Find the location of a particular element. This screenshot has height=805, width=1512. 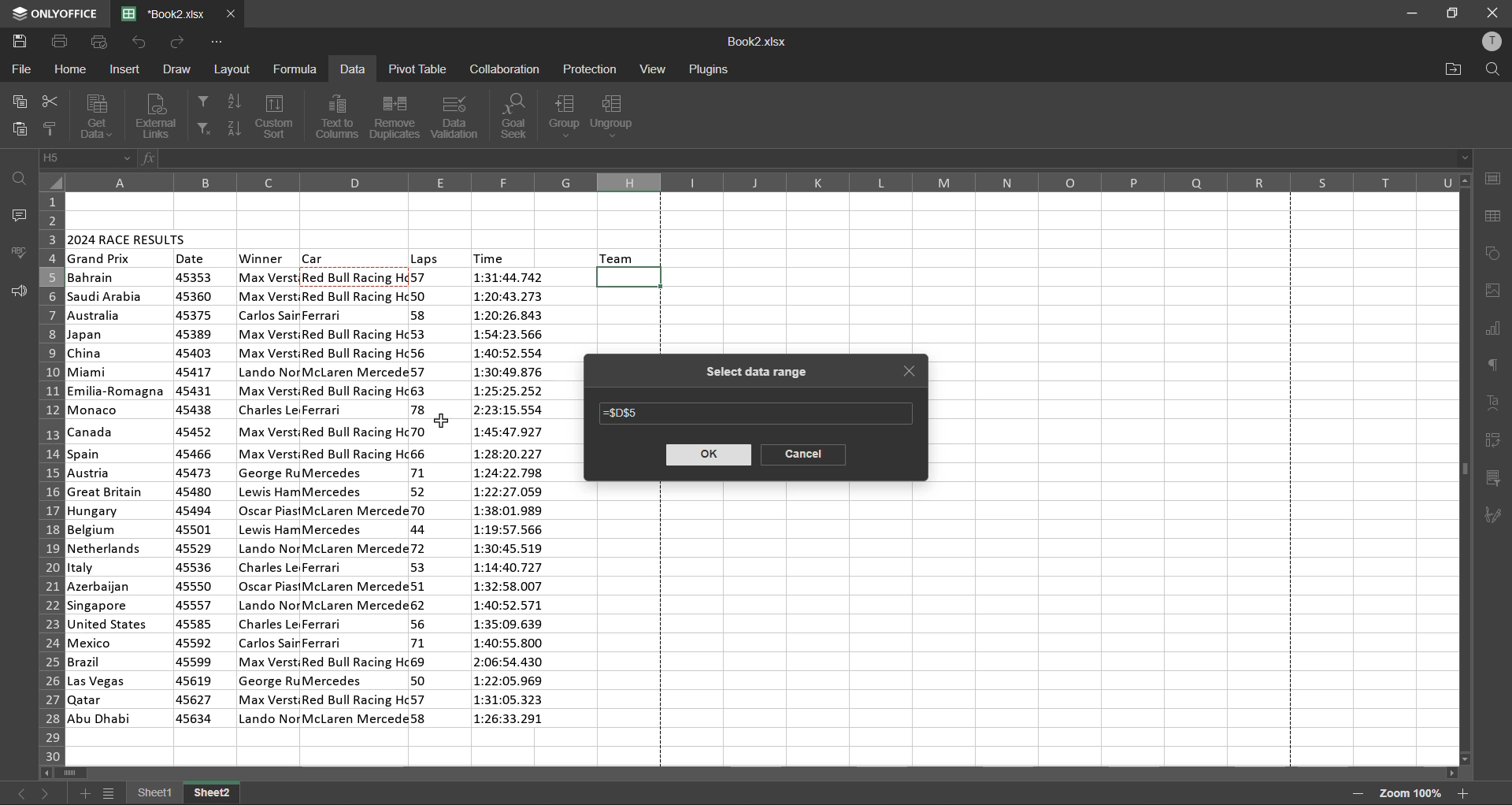

copy style is located at coordinates (53, 129).